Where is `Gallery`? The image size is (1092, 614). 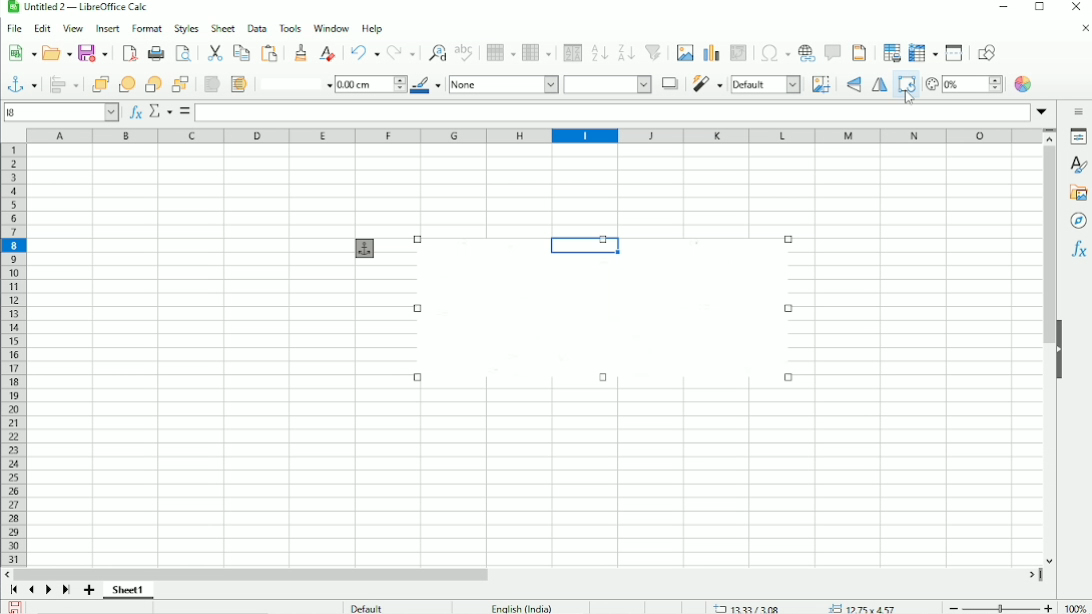
Gallery is located at coordinates (1077, 193).